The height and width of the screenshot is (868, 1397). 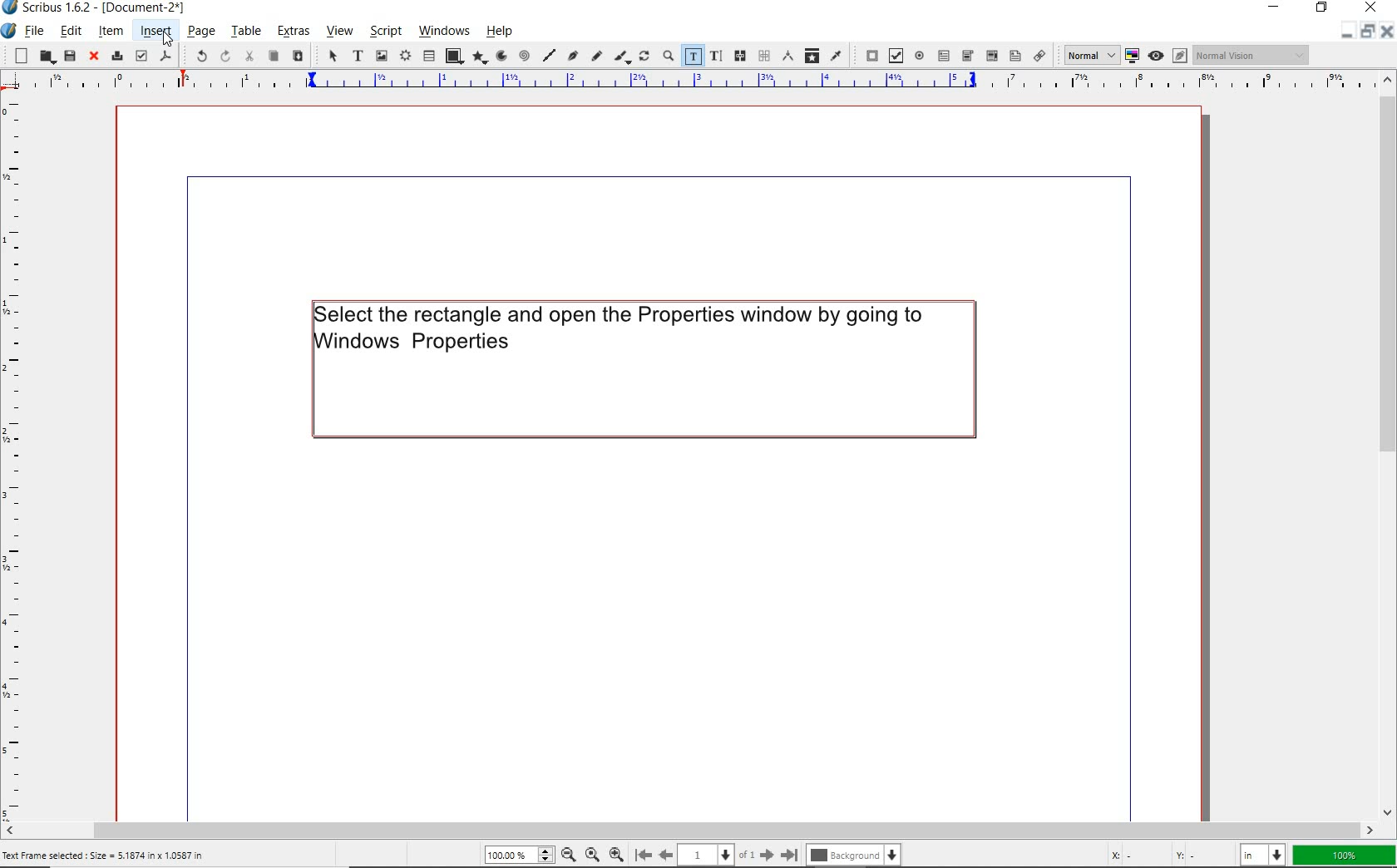 I want to click on scribus 1.6.2 - [Document-2*], so click(x=111, y=8).